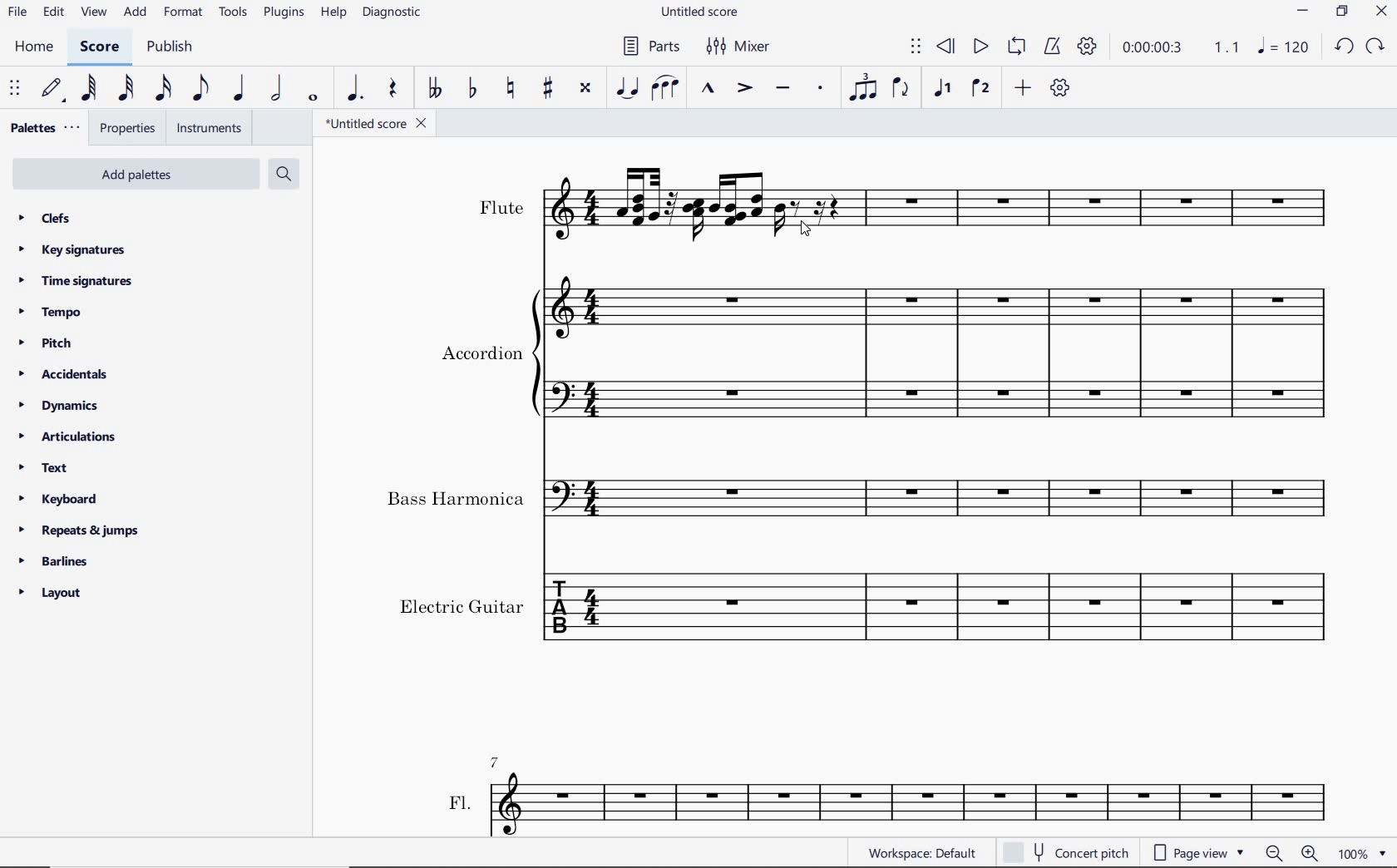 This screenshot has height=868, width=1397. What do you see at coordinates (940, 348) in the screenshot?
I see `Instrument: Accordion` at bounding box center [940, 348].